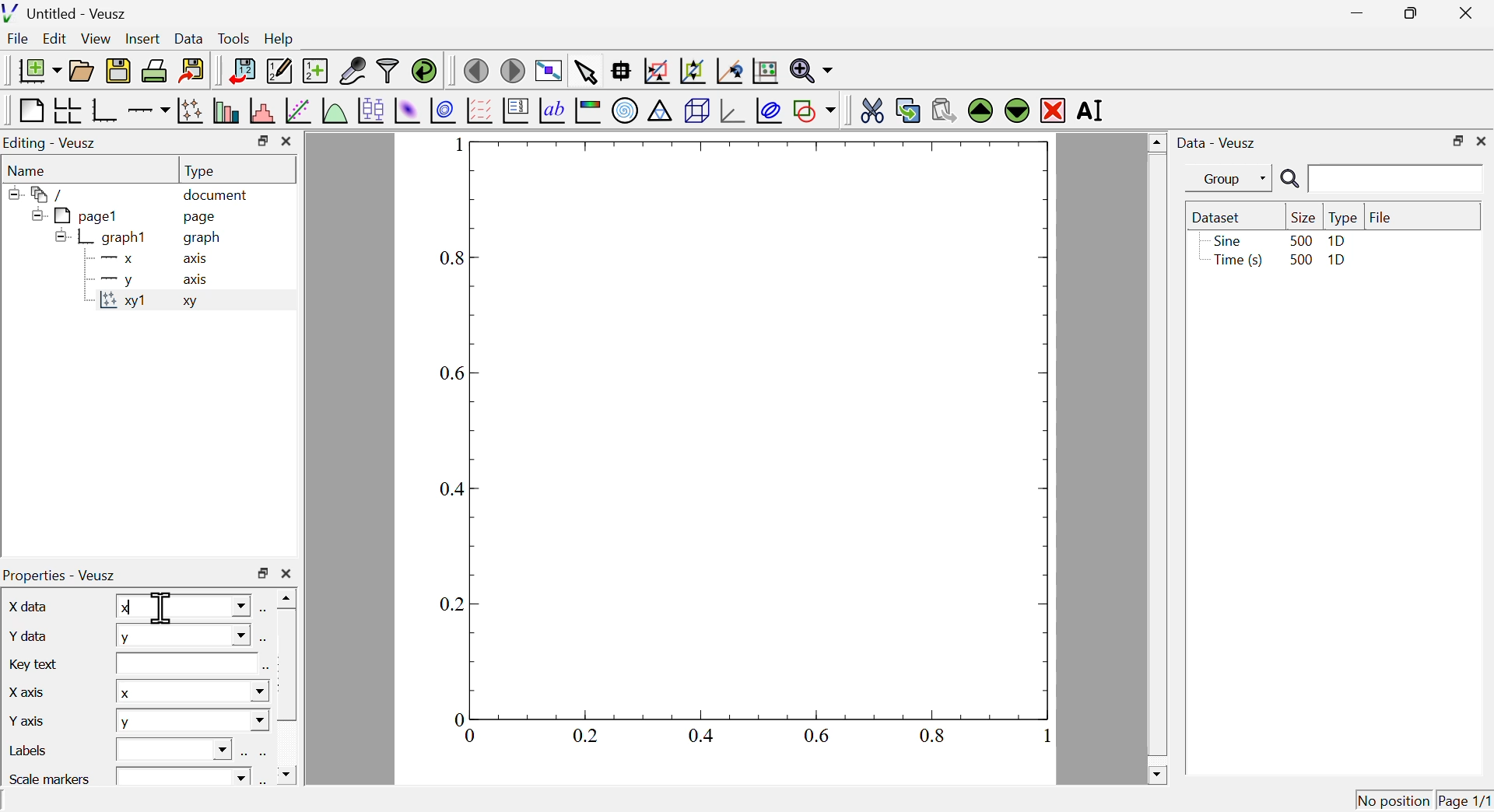 The width and height of the screenshot is (1494, 812). Describe the element at coordinates (549, 69) in the screenshot. I see `view plot full screen` at that location.